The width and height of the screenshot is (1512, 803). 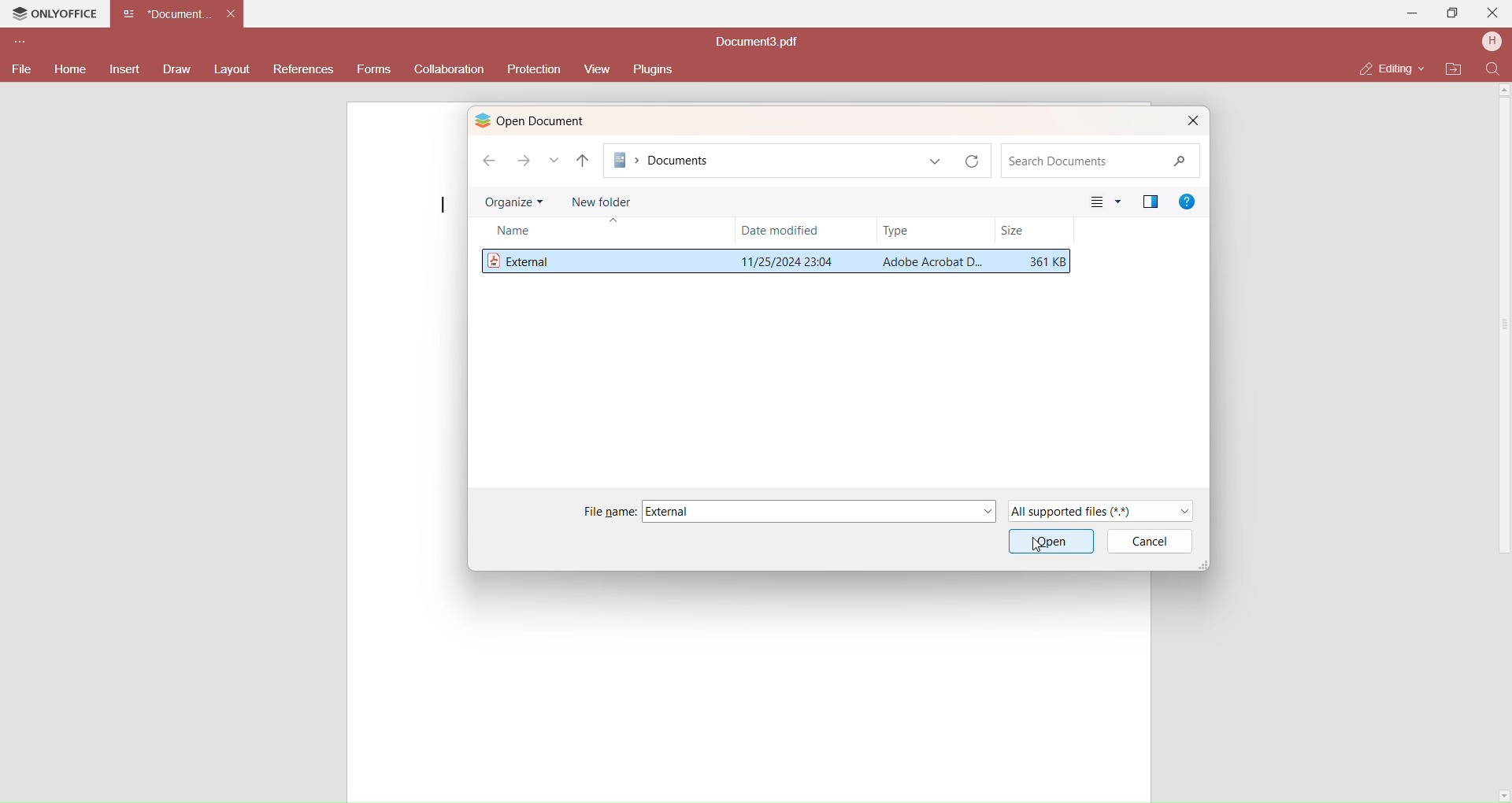 I want to click on Type, so click(x=898, y=230).